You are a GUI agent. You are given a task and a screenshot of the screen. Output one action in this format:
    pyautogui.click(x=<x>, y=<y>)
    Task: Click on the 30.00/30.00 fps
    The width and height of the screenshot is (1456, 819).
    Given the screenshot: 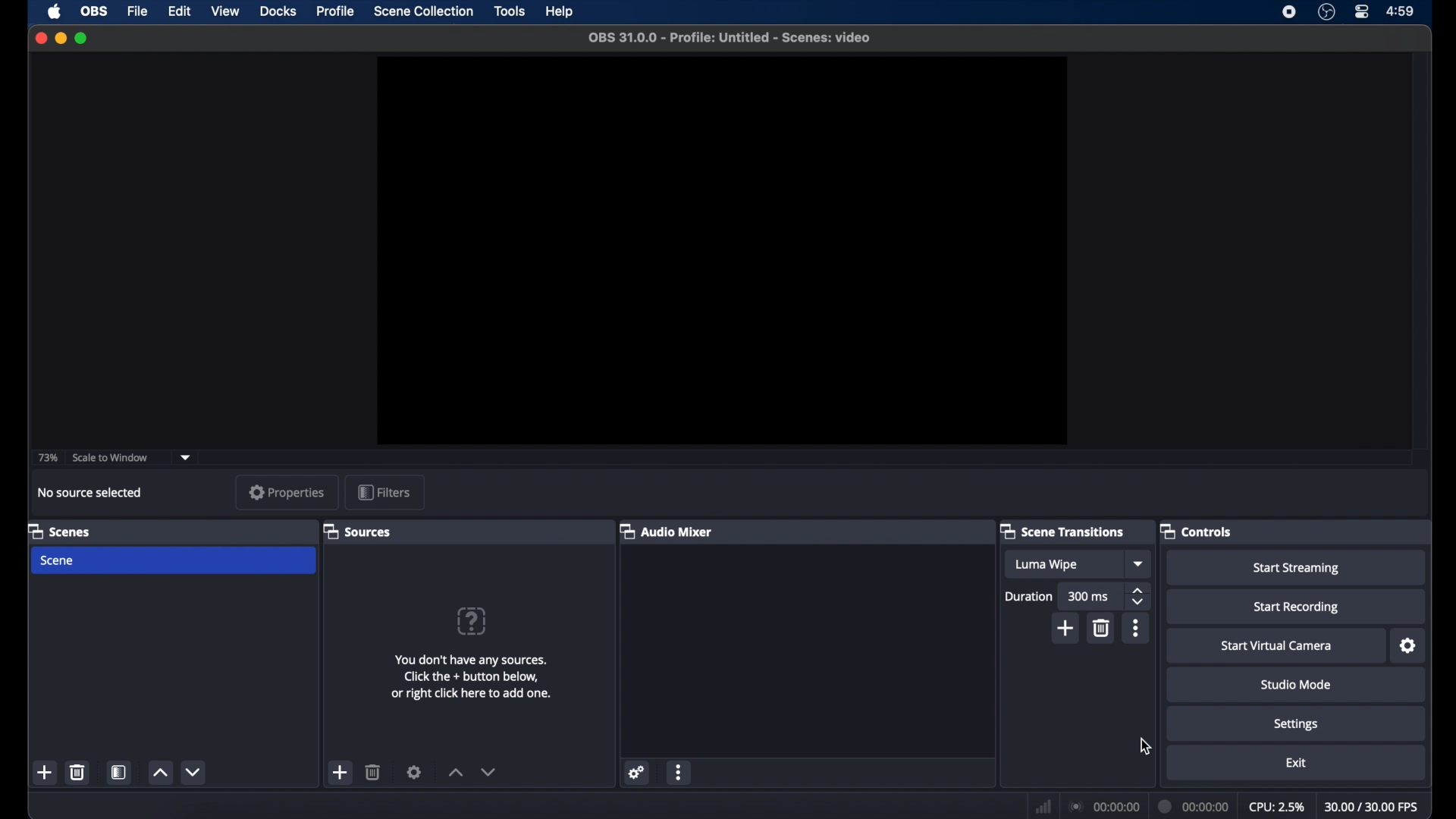 What is the action you would take?
    pyautogui.click(x=1373, y=806)
    